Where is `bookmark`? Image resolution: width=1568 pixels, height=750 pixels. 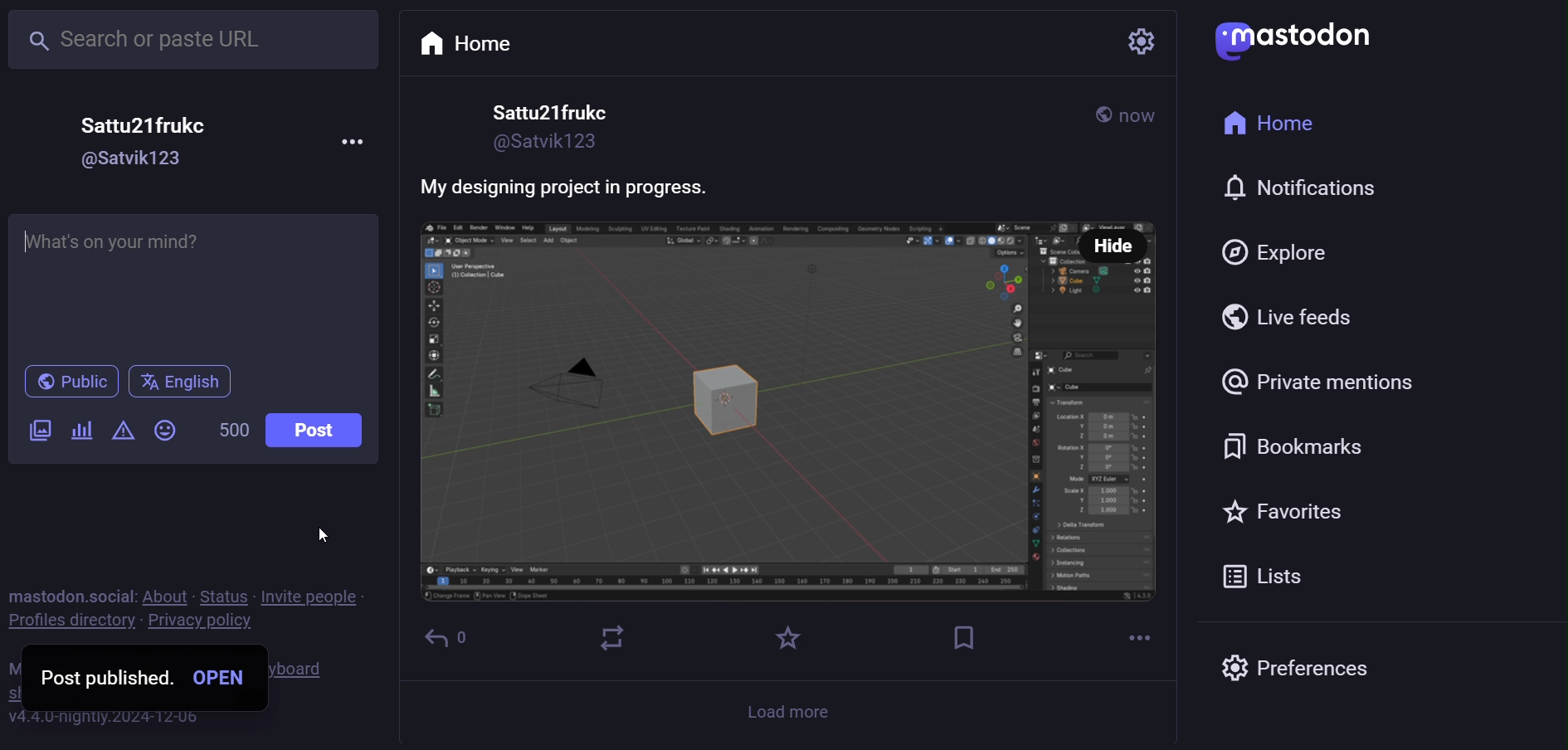 bookmark is located at coordinates (1288, 444).